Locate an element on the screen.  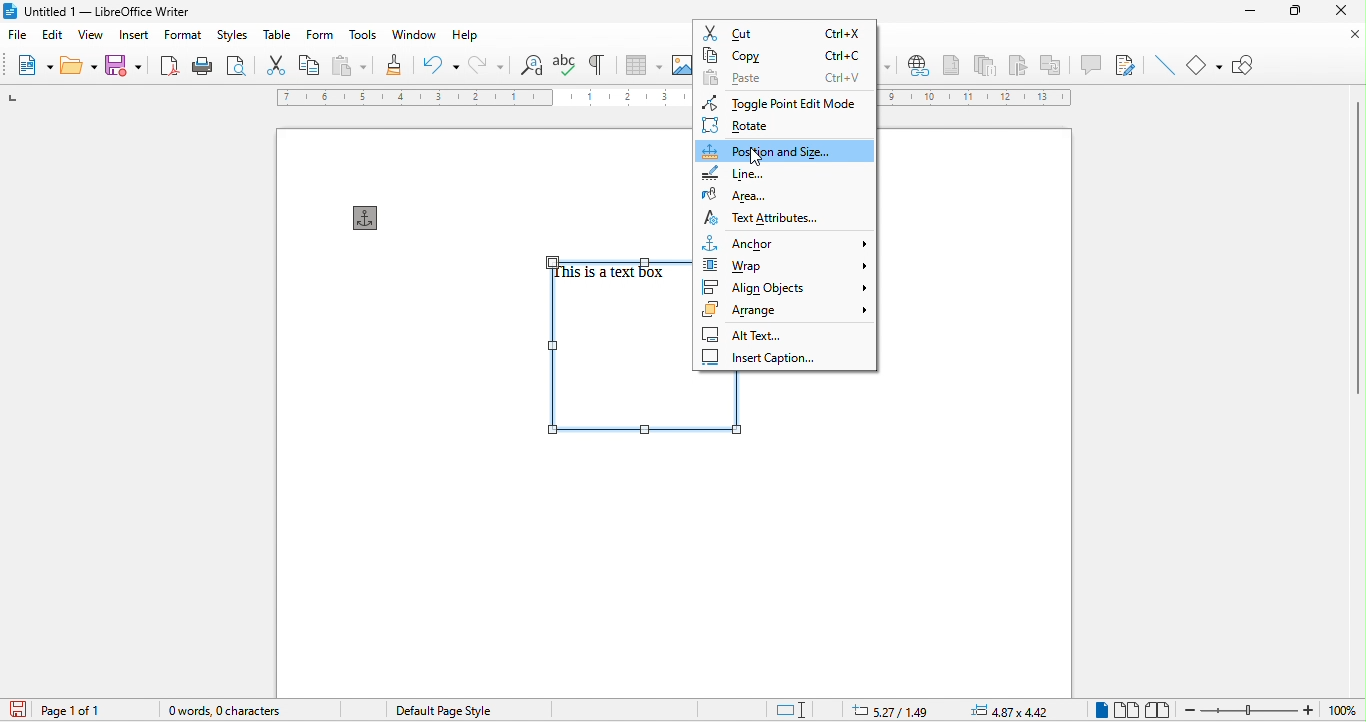
comment is located at coordinates (1091, 64).